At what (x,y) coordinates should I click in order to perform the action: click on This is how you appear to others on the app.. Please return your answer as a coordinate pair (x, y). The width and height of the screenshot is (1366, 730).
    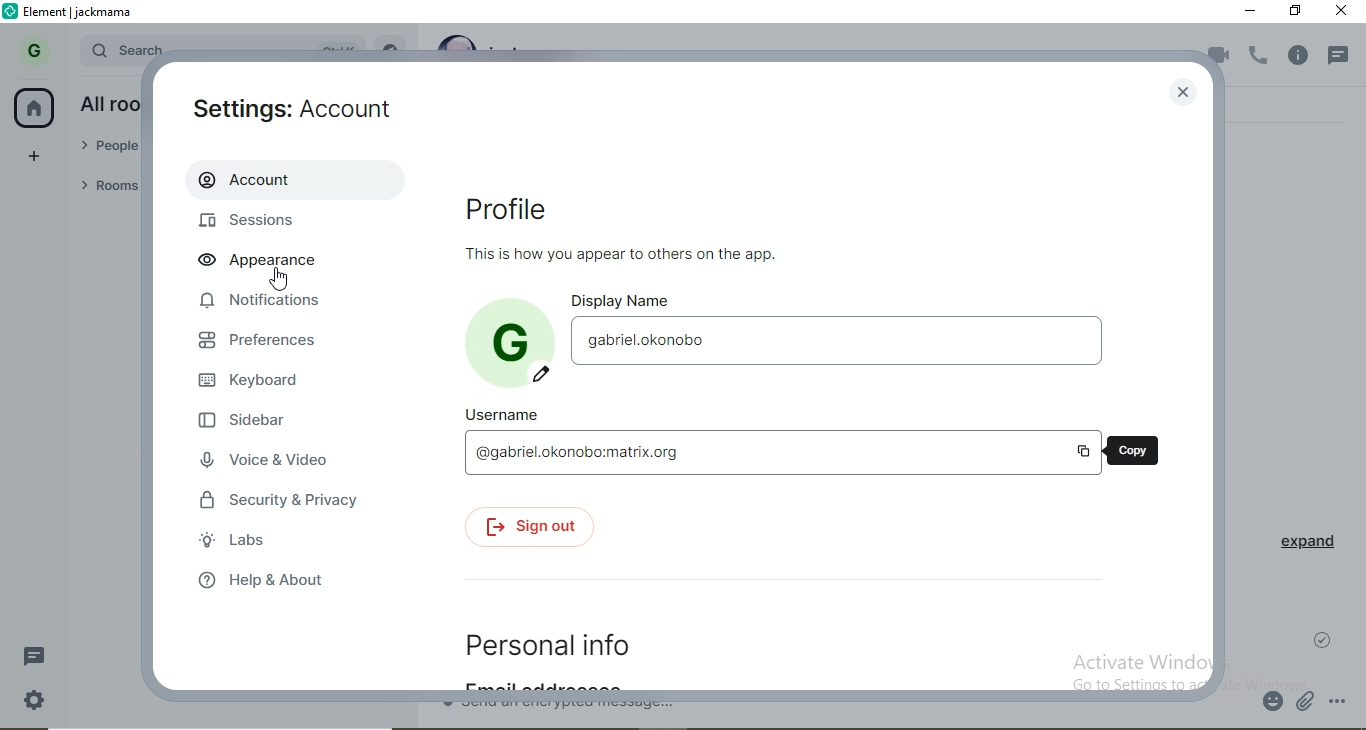
    Looking at the image, I should click on (622, 254).